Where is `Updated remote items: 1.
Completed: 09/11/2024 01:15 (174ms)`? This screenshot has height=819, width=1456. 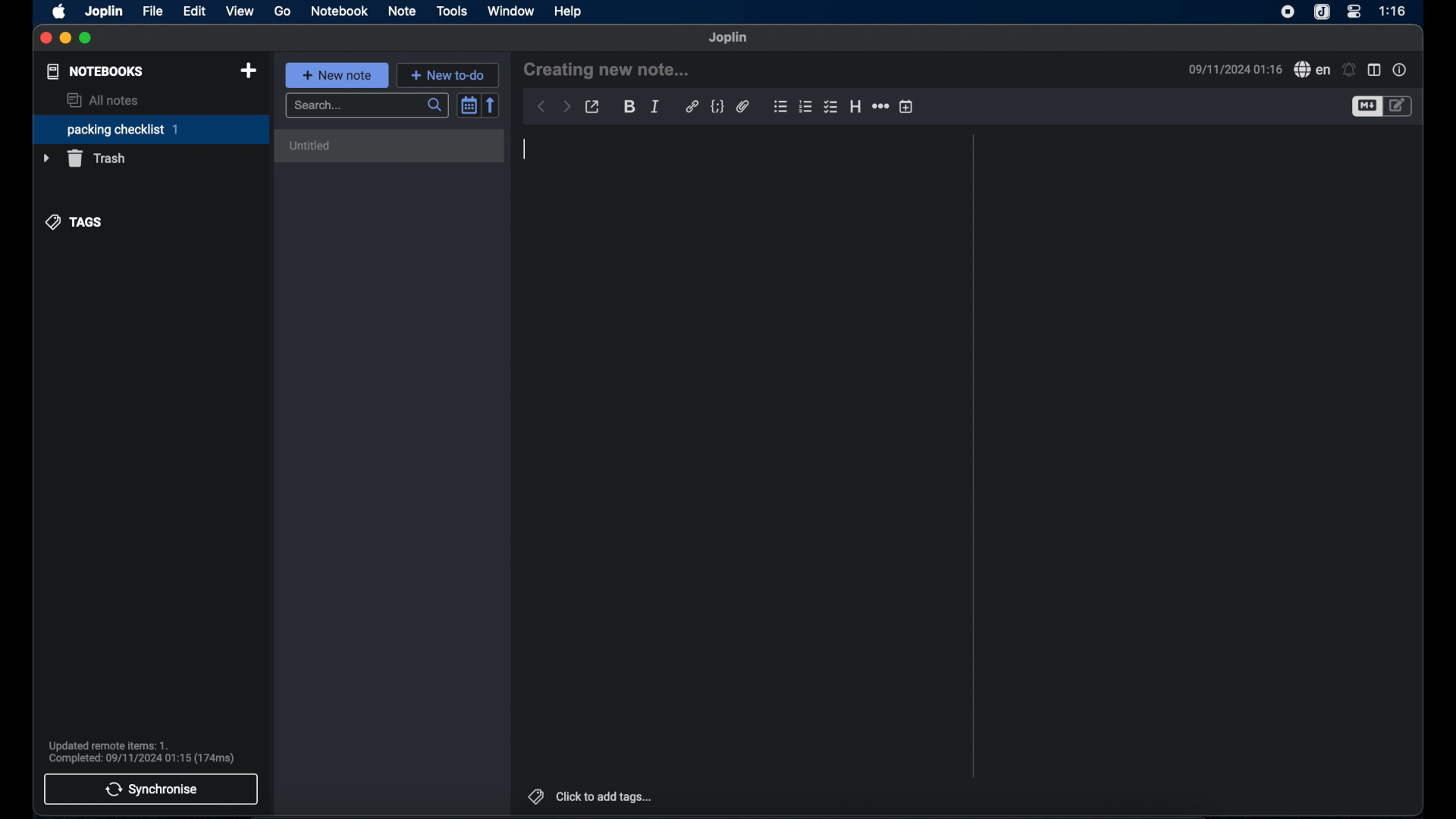 Updated remote items: 1.
Completed: 09/11/2024 01:15 (174ms) is located at coordinates (146, 753).